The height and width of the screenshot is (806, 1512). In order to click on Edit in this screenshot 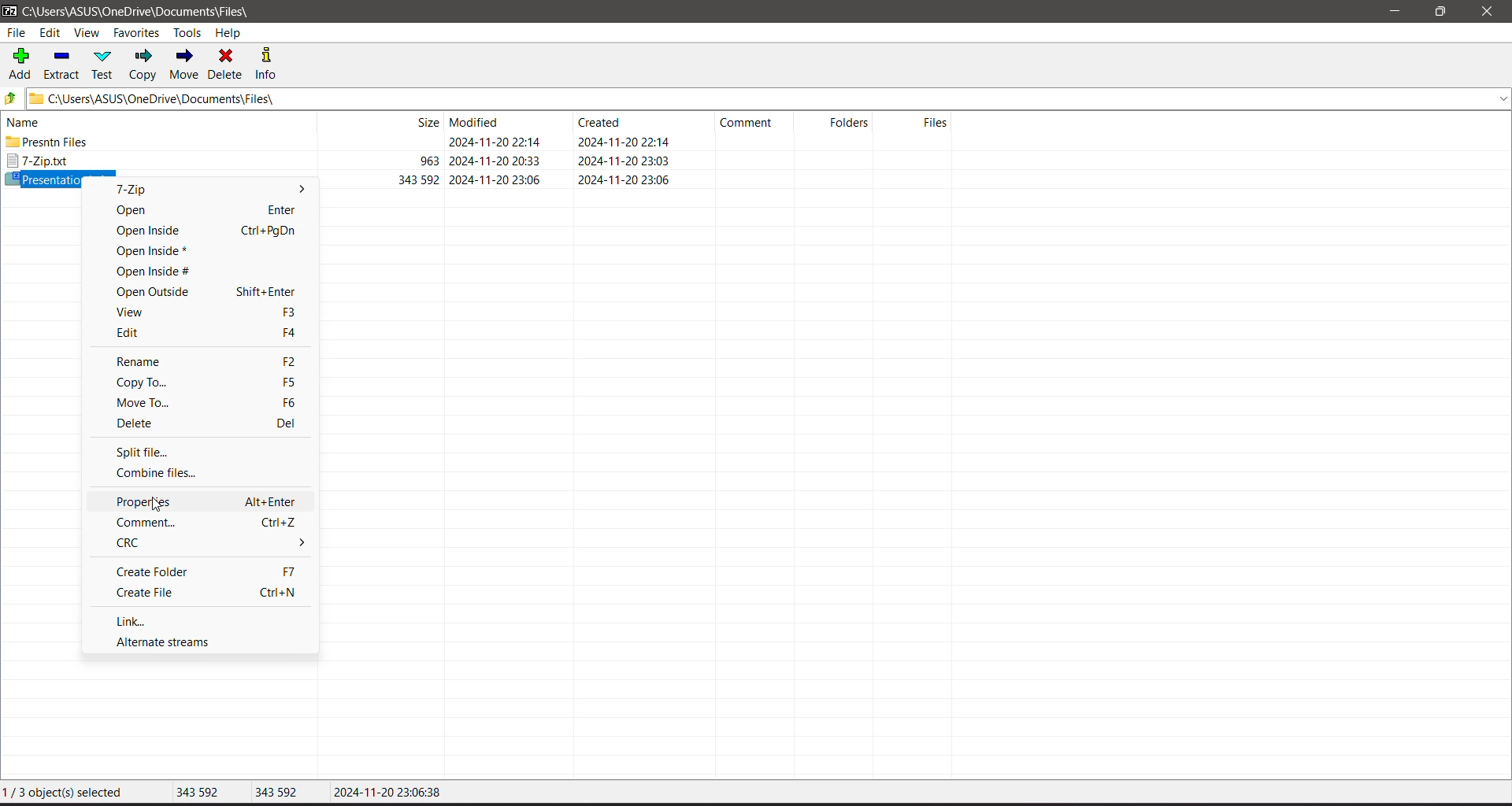, I will do `click(197, 333)`.